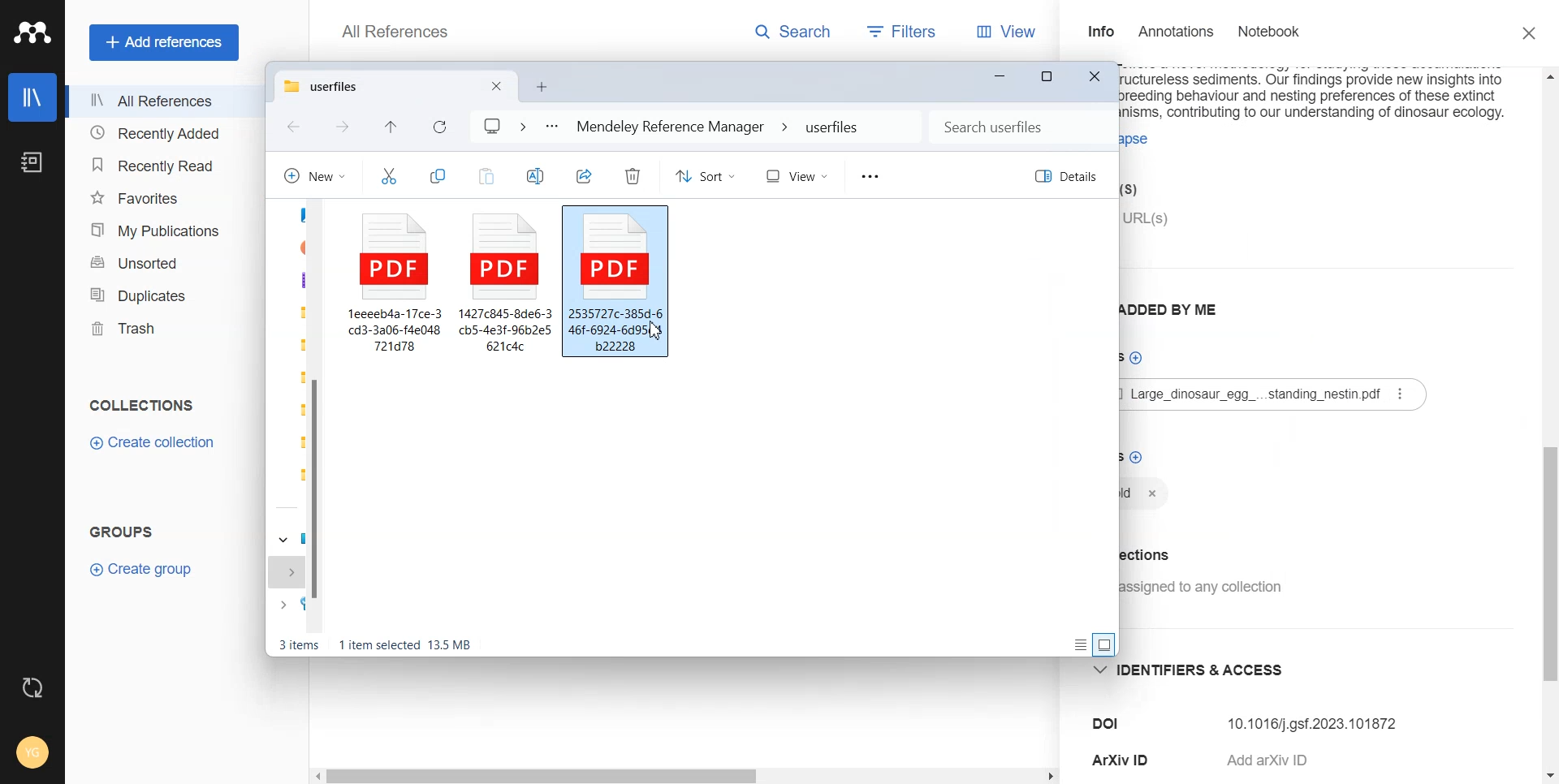 The height and width of the screenshot is (784, 1559). I want to click on dropdown, so click(281, 541).